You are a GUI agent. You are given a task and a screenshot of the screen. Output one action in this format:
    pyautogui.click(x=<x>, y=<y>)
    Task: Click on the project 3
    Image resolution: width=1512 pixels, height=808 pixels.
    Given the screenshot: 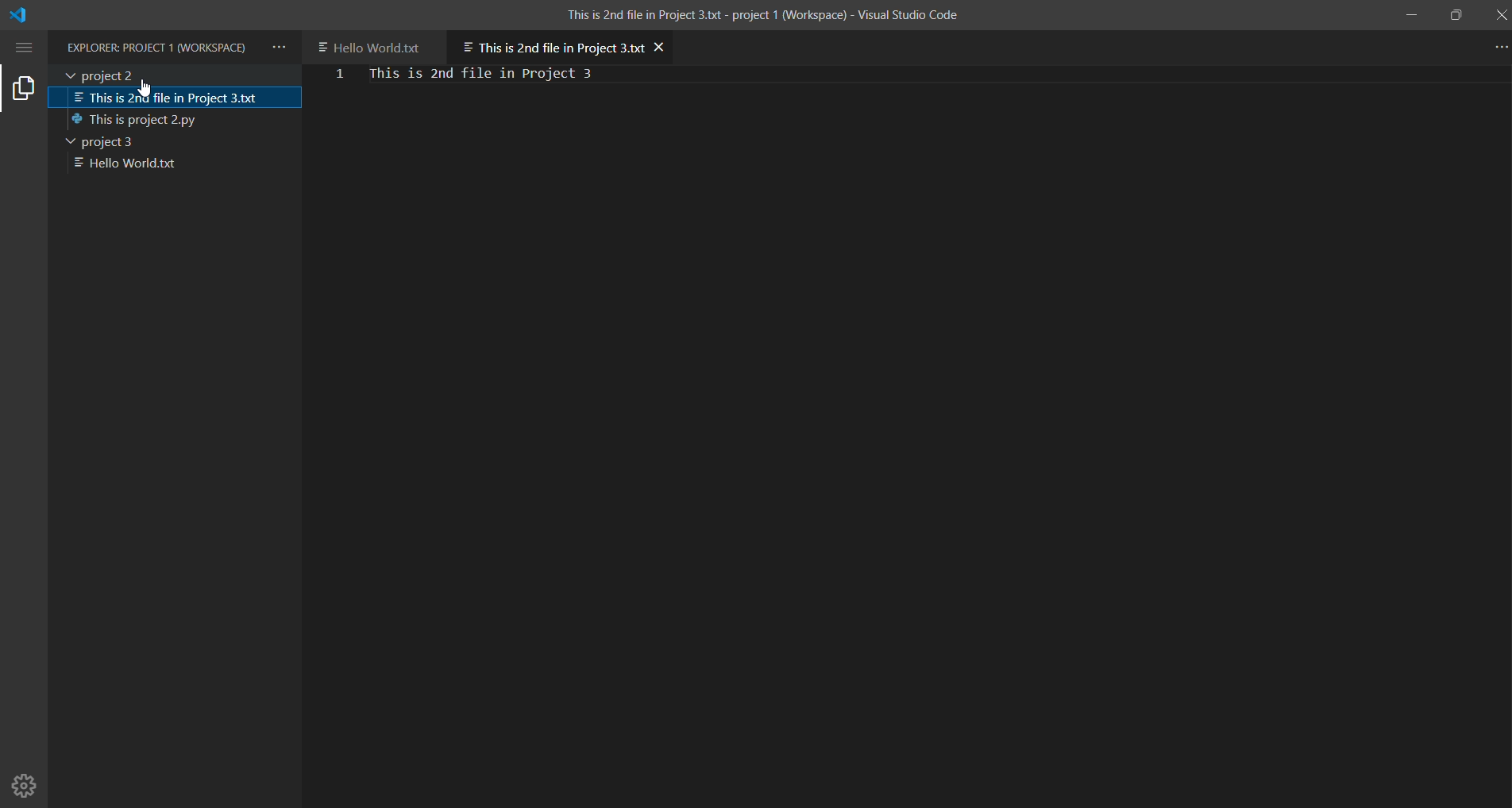 What is the action you would take?
    pyautogui.click(x=125, y=121)
    